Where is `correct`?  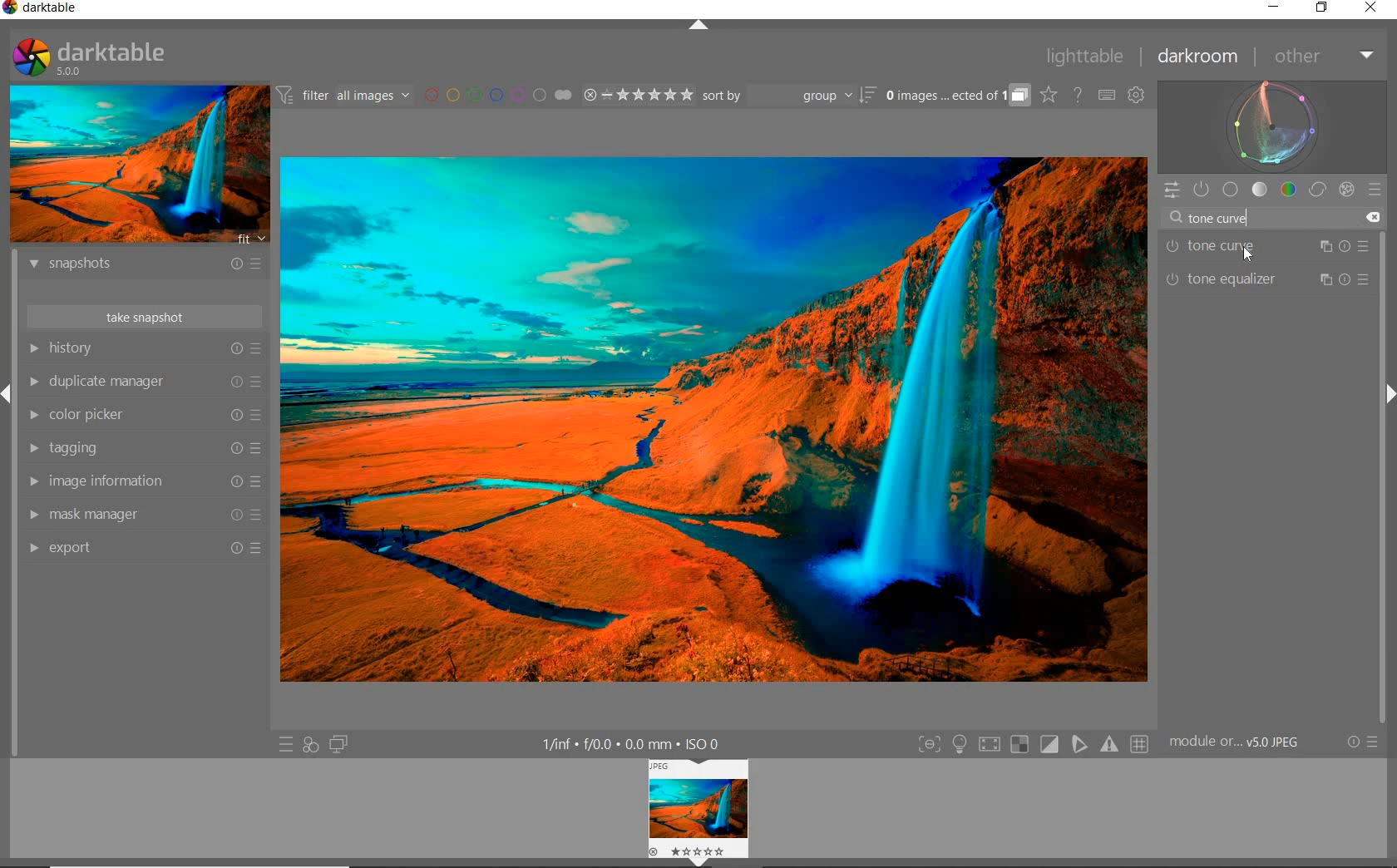 correct is located at coordinates (1316, 189).